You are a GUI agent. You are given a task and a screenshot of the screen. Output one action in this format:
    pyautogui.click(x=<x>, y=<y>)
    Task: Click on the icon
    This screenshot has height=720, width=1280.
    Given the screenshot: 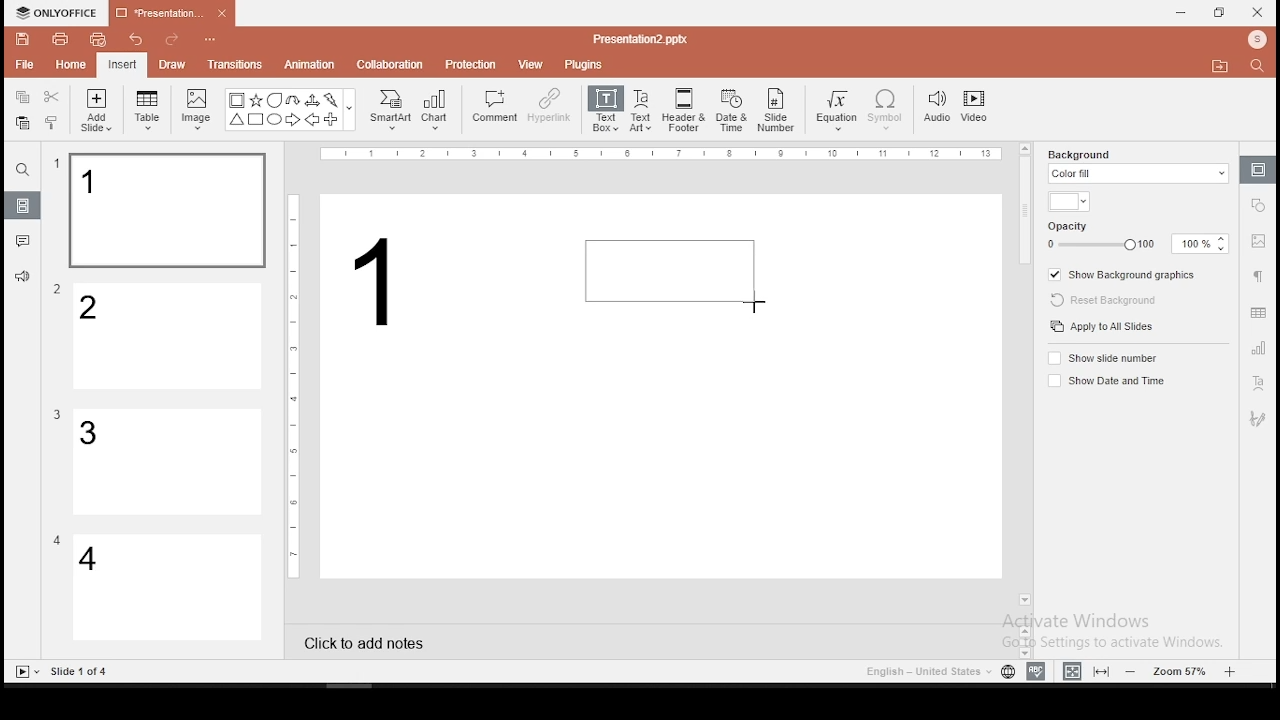 What is the action you would take?
    pyautogui.click(x=60, y=13)
    